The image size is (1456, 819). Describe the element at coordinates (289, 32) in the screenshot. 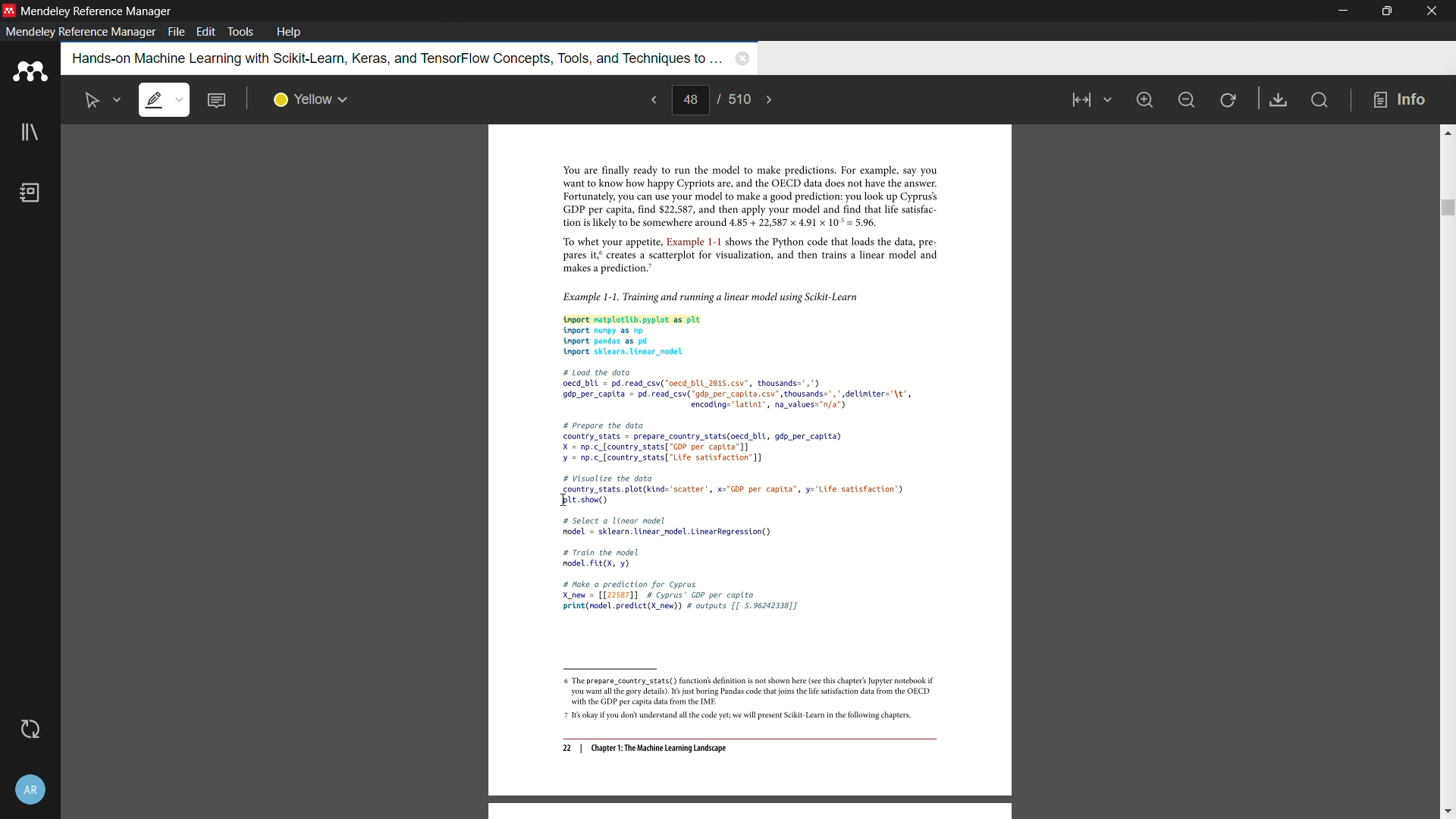

I see `help menu` at that location.